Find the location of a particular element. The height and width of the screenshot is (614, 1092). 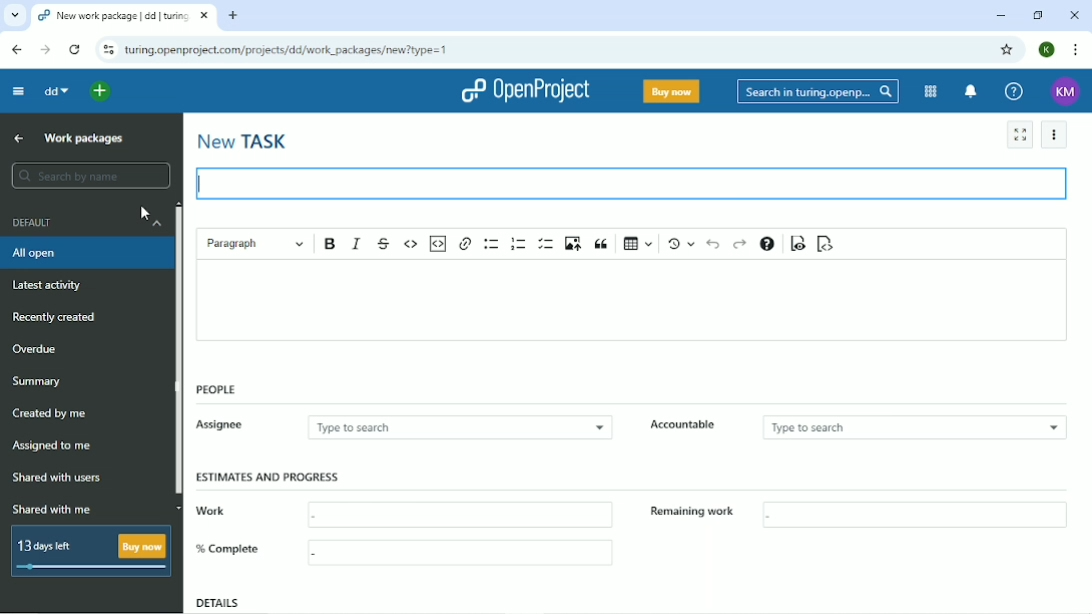

Shared with me is located at coordinates (51, 509).